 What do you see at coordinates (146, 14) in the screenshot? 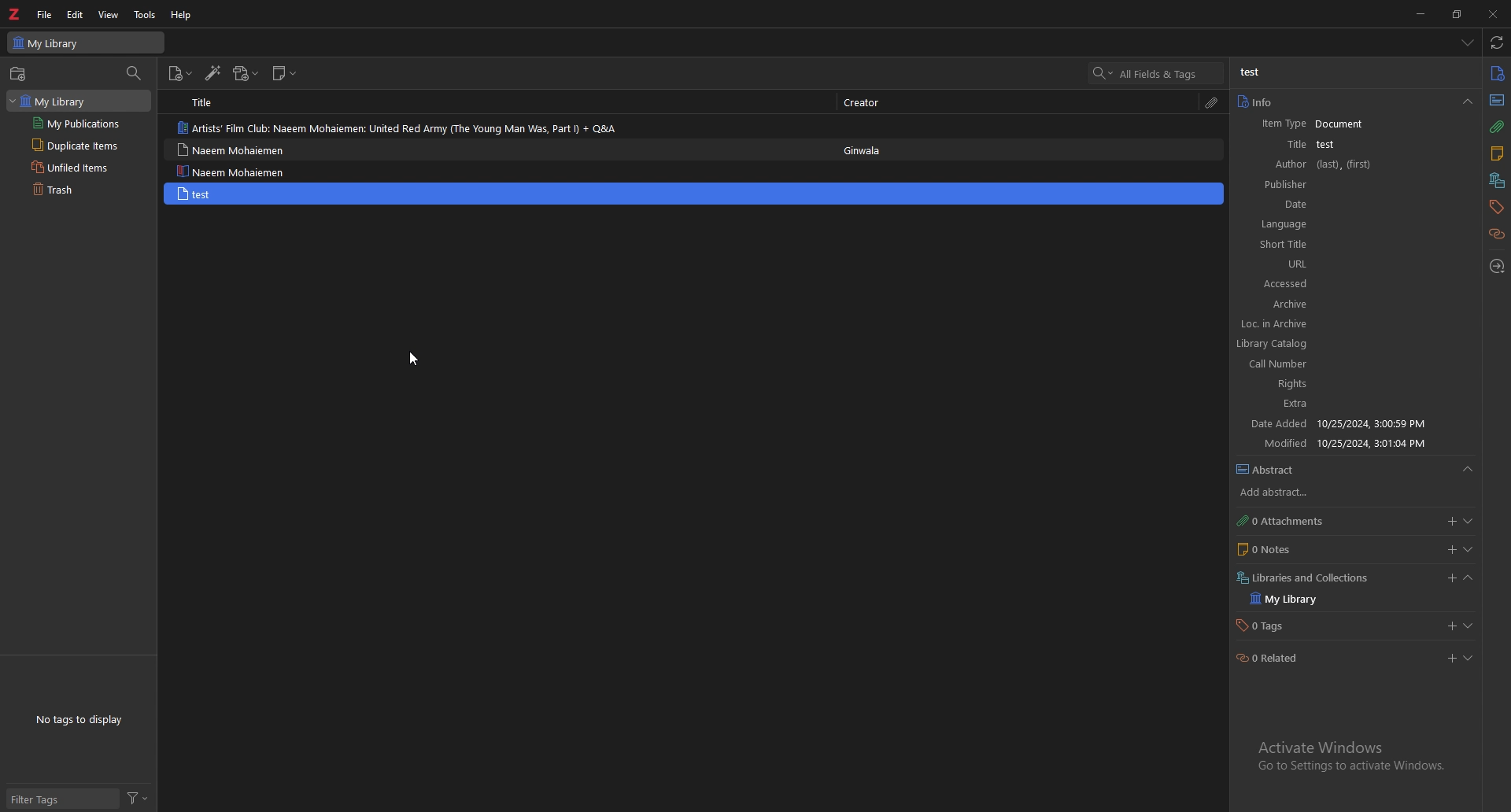
I see `tools` at bounding box center [146, 14].